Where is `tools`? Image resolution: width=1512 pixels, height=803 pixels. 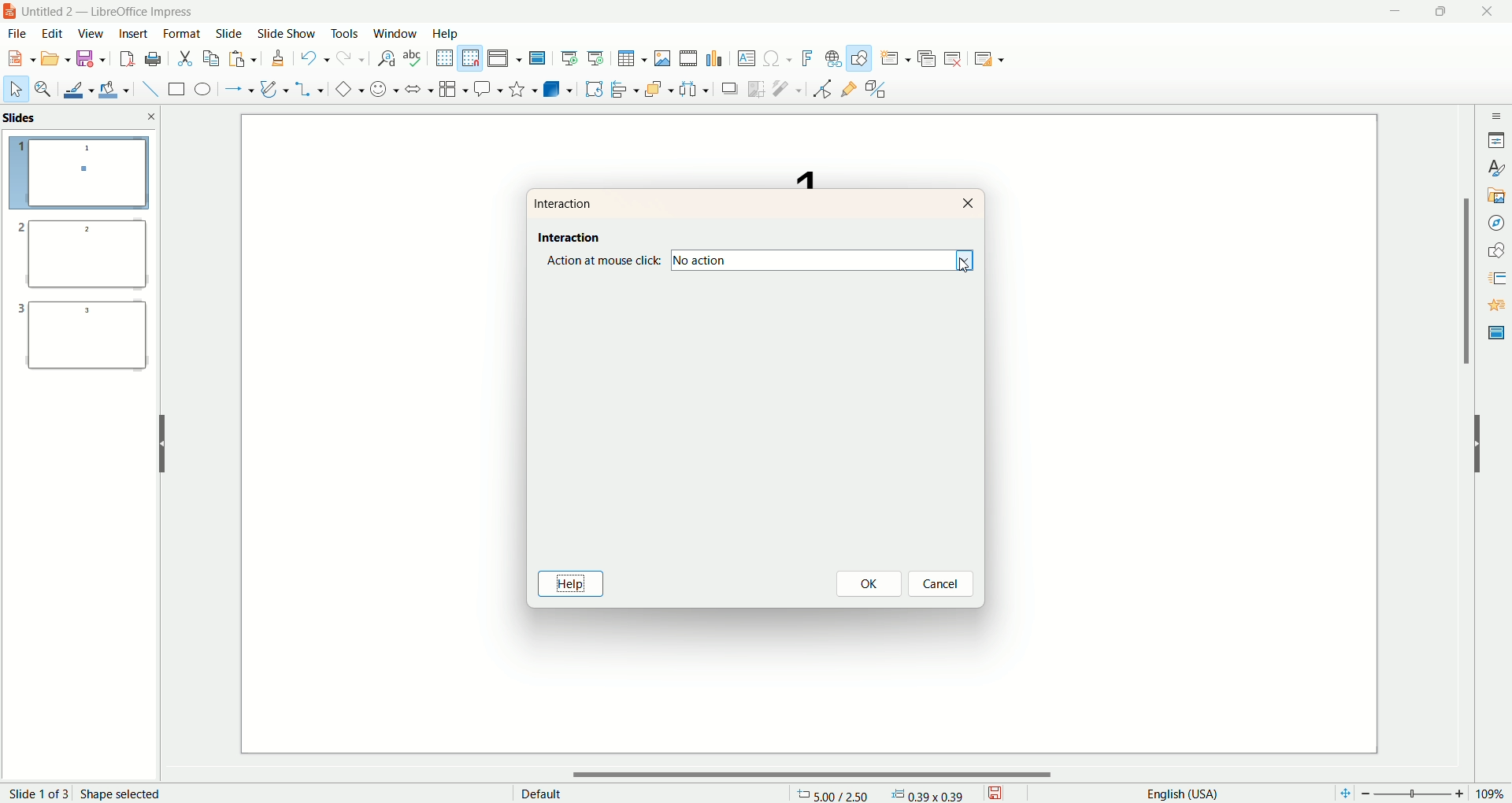
tools is located at coordinates (346, 37).